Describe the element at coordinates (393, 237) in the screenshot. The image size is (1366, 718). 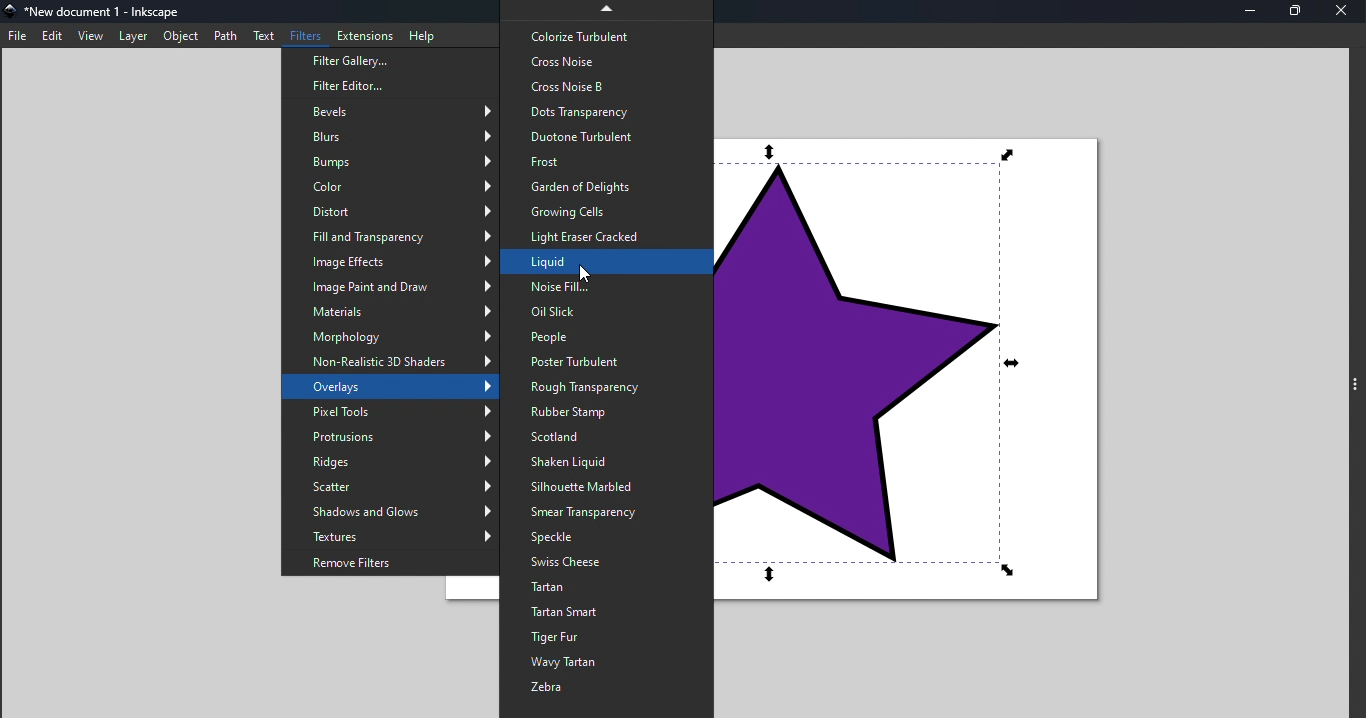
I see `Fill and transparency` at that location.